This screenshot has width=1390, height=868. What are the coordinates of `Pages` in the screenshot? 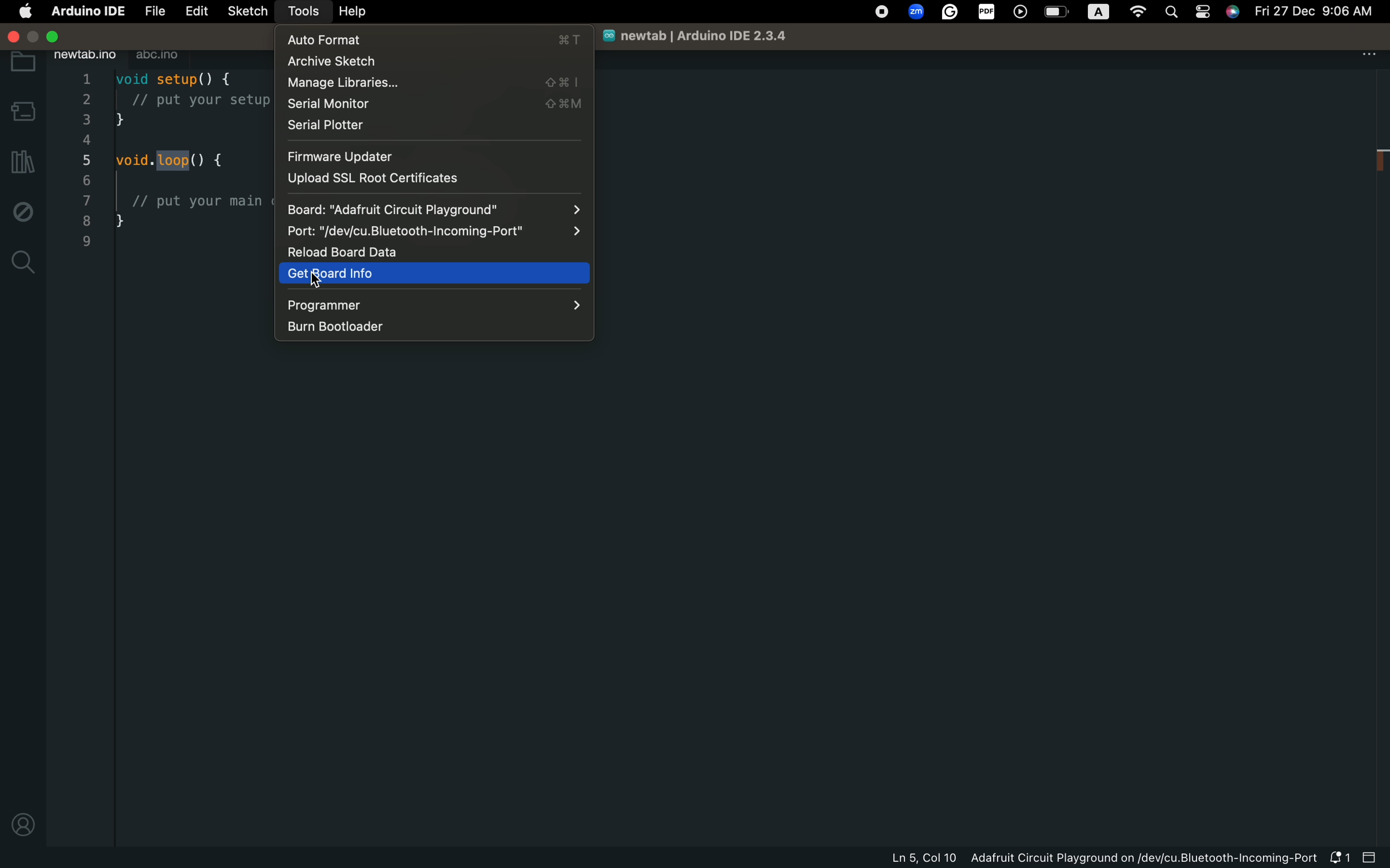 It's located at (1202, 13).